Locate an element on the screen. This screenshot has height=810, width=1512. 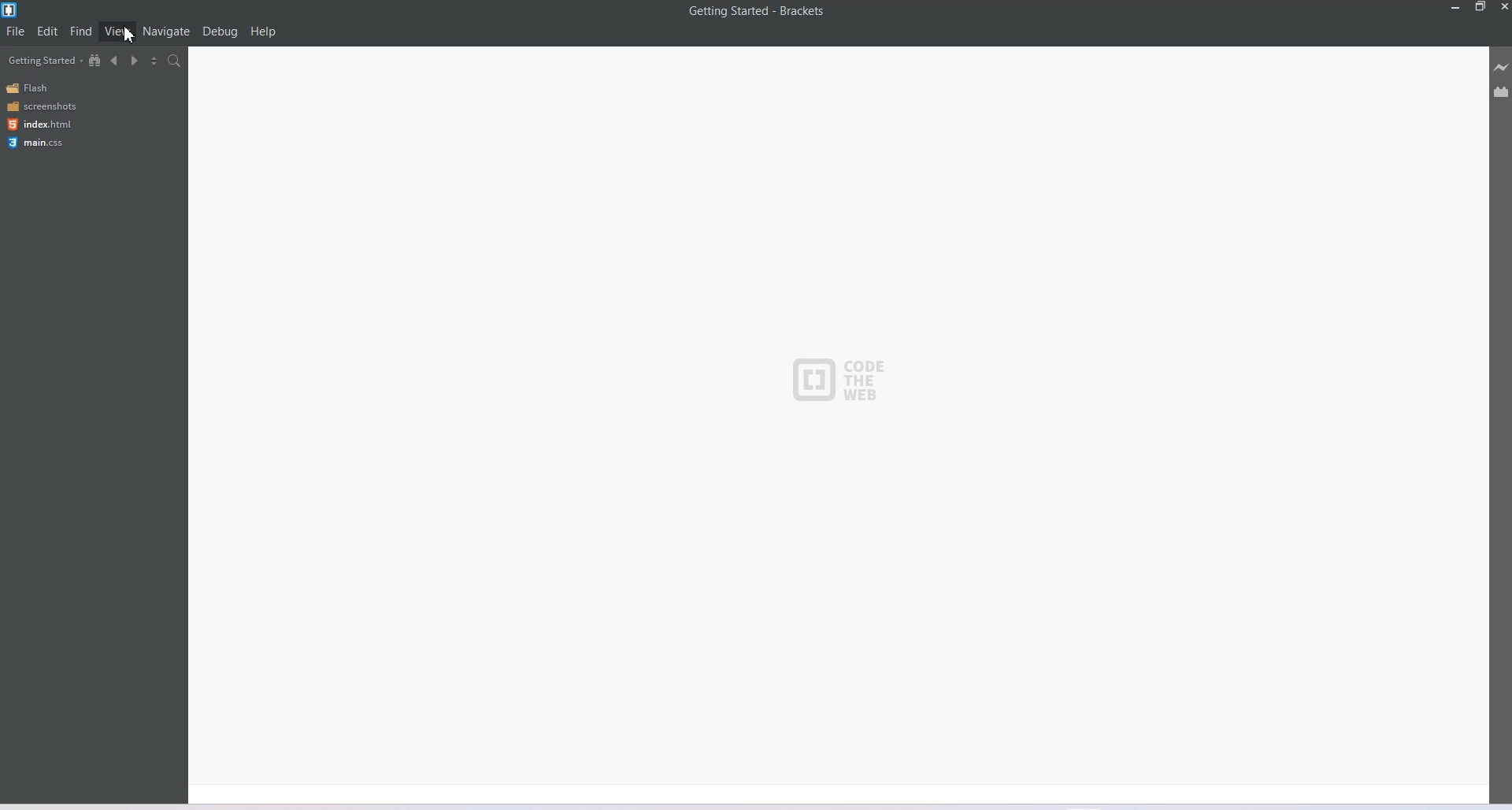
Find in Files is located at coordinates (175, 61).